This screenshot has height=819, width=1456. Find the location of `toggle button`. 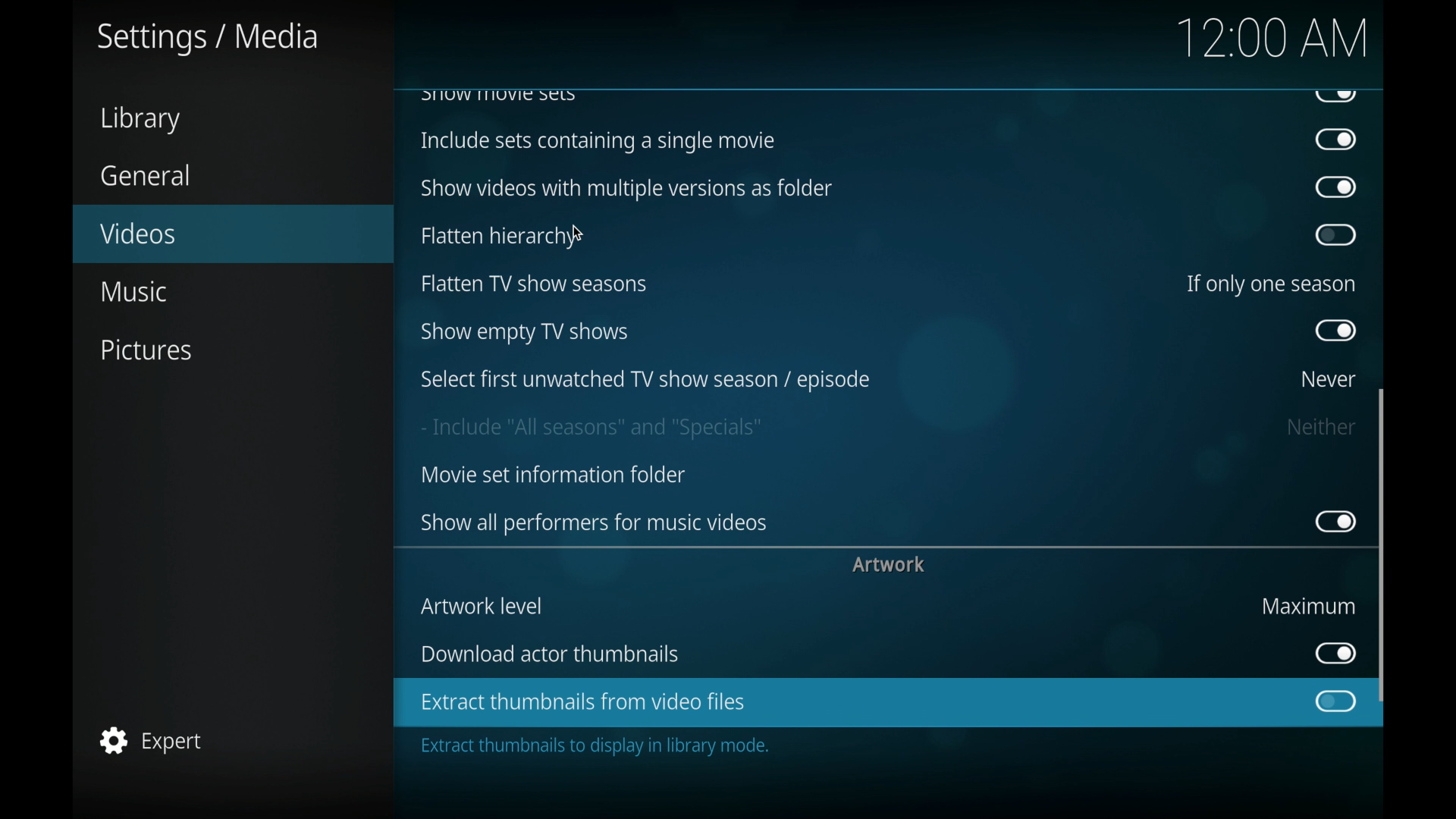

toggle button is located at coordinates (1336, 331).